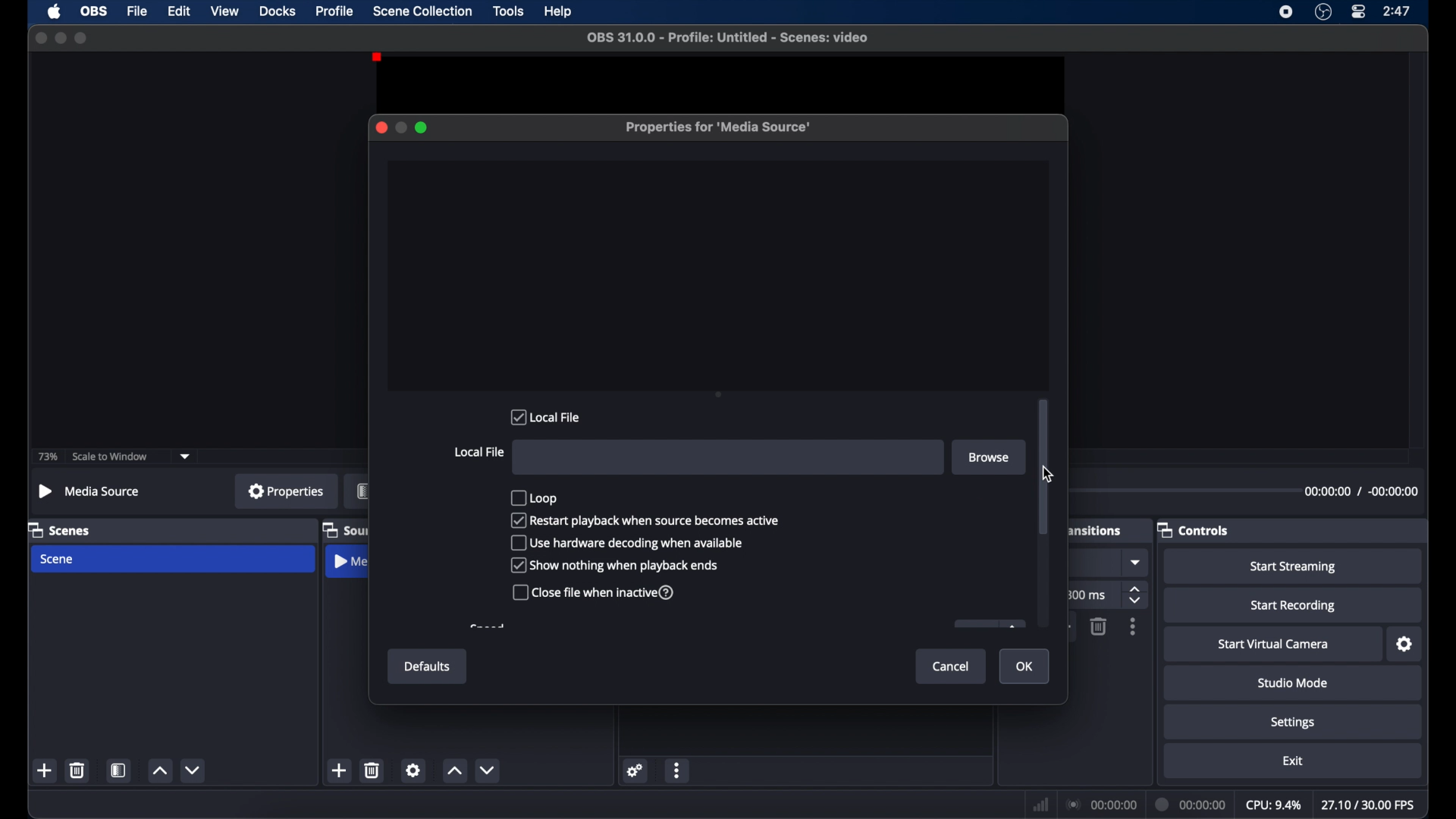  Describe the element at coordinates (1100, 531) in the screenshot. I see `scene transitions` at that location.